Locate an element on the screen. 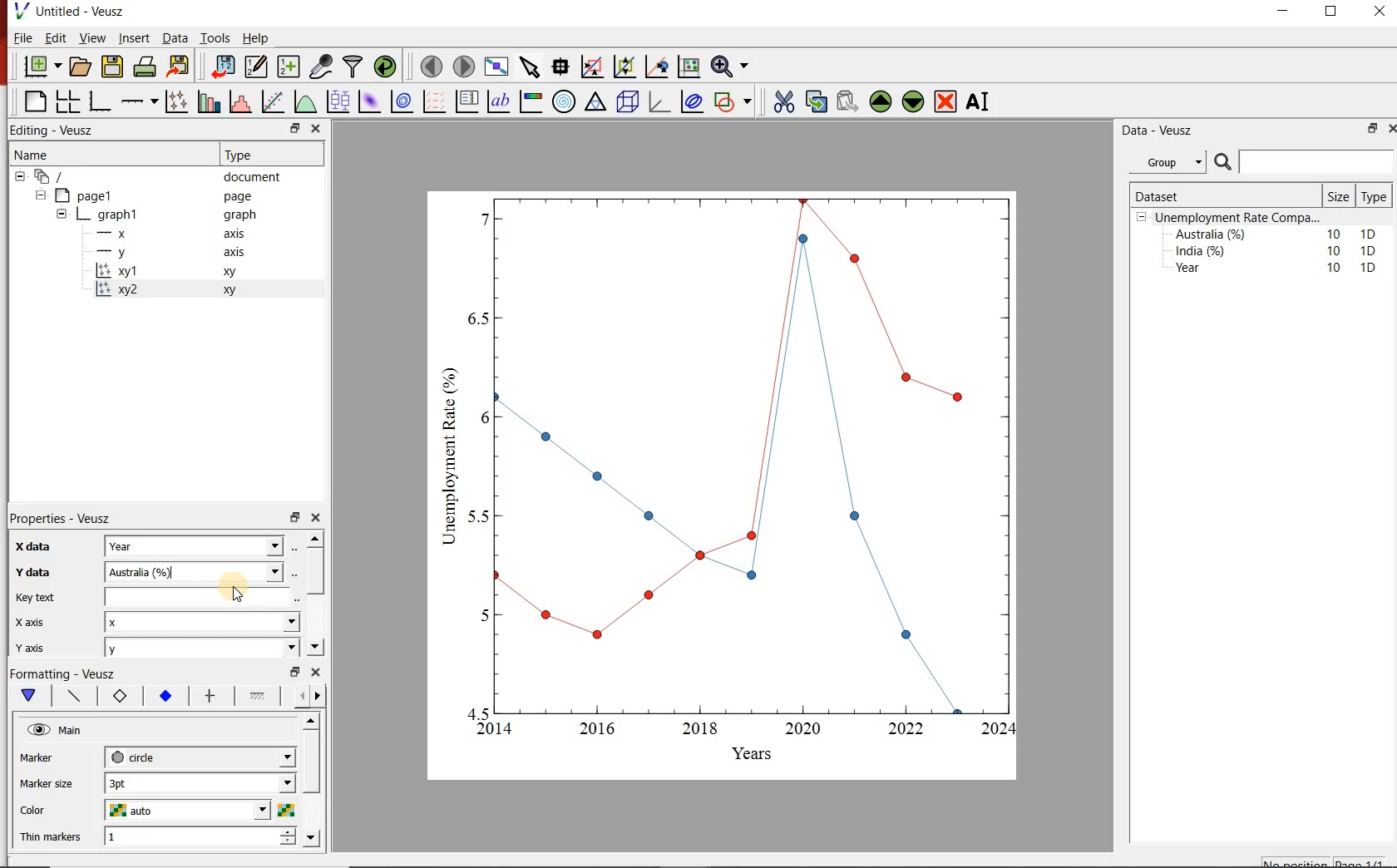  y data is located at coordinates (36, 572).